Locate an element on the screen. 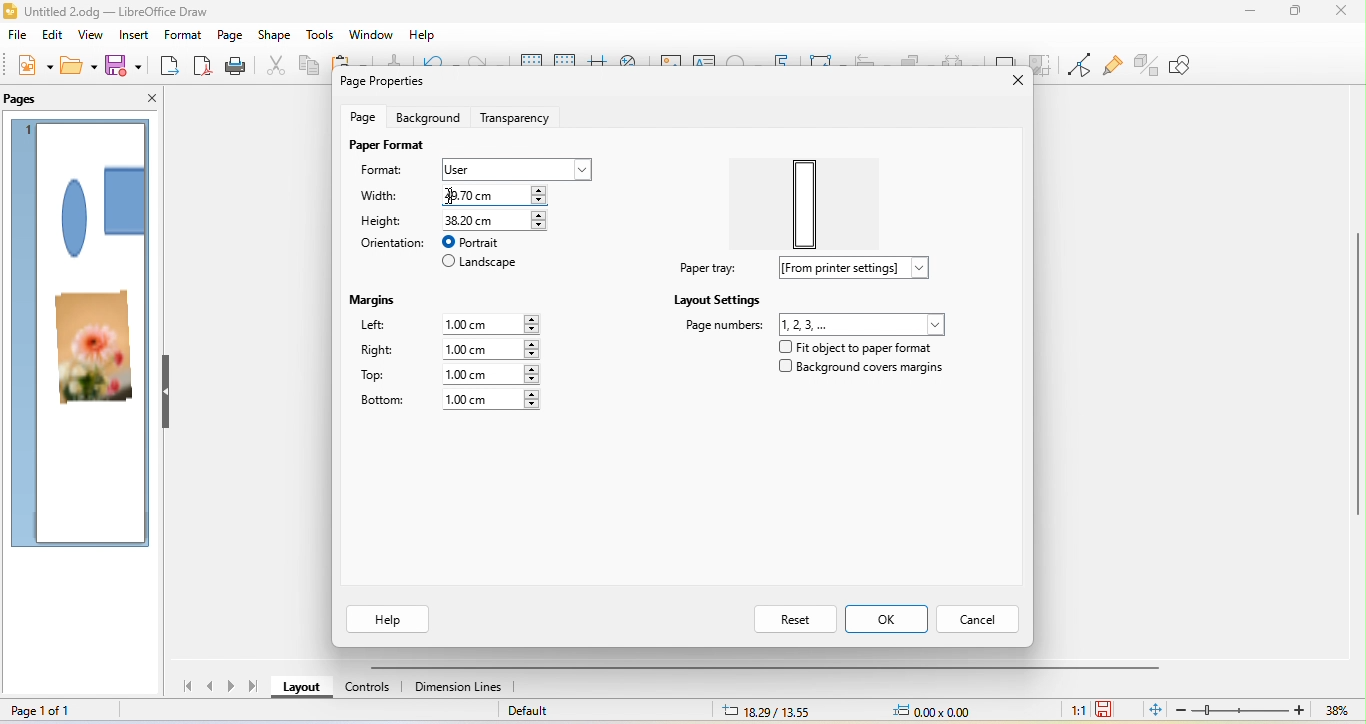 The image size is (1366, 724). crop image is located at coordinates (1042, 54).